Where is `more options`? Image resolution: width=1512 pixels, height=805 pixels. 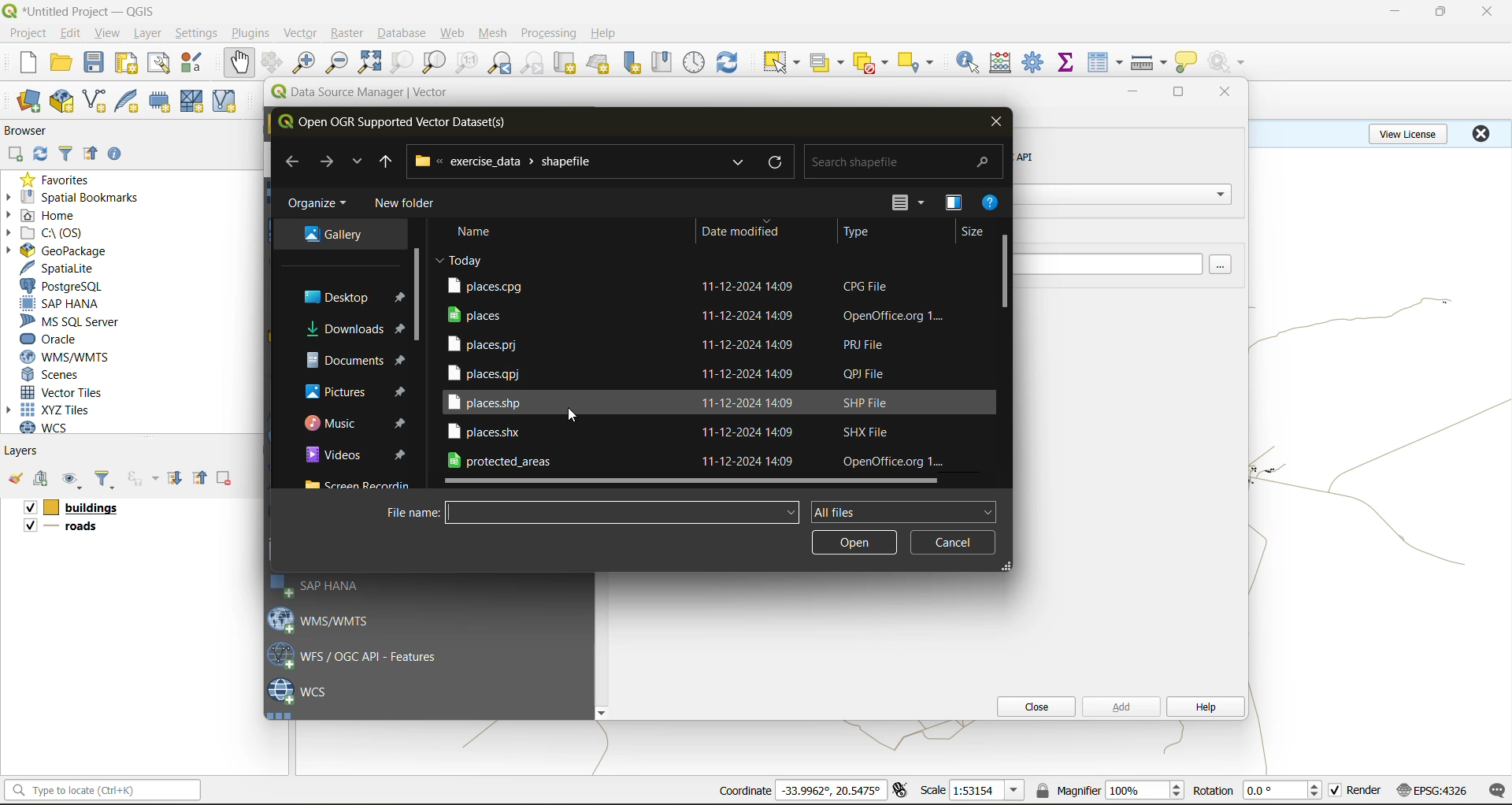 more options is located at coordinates (912, 203).